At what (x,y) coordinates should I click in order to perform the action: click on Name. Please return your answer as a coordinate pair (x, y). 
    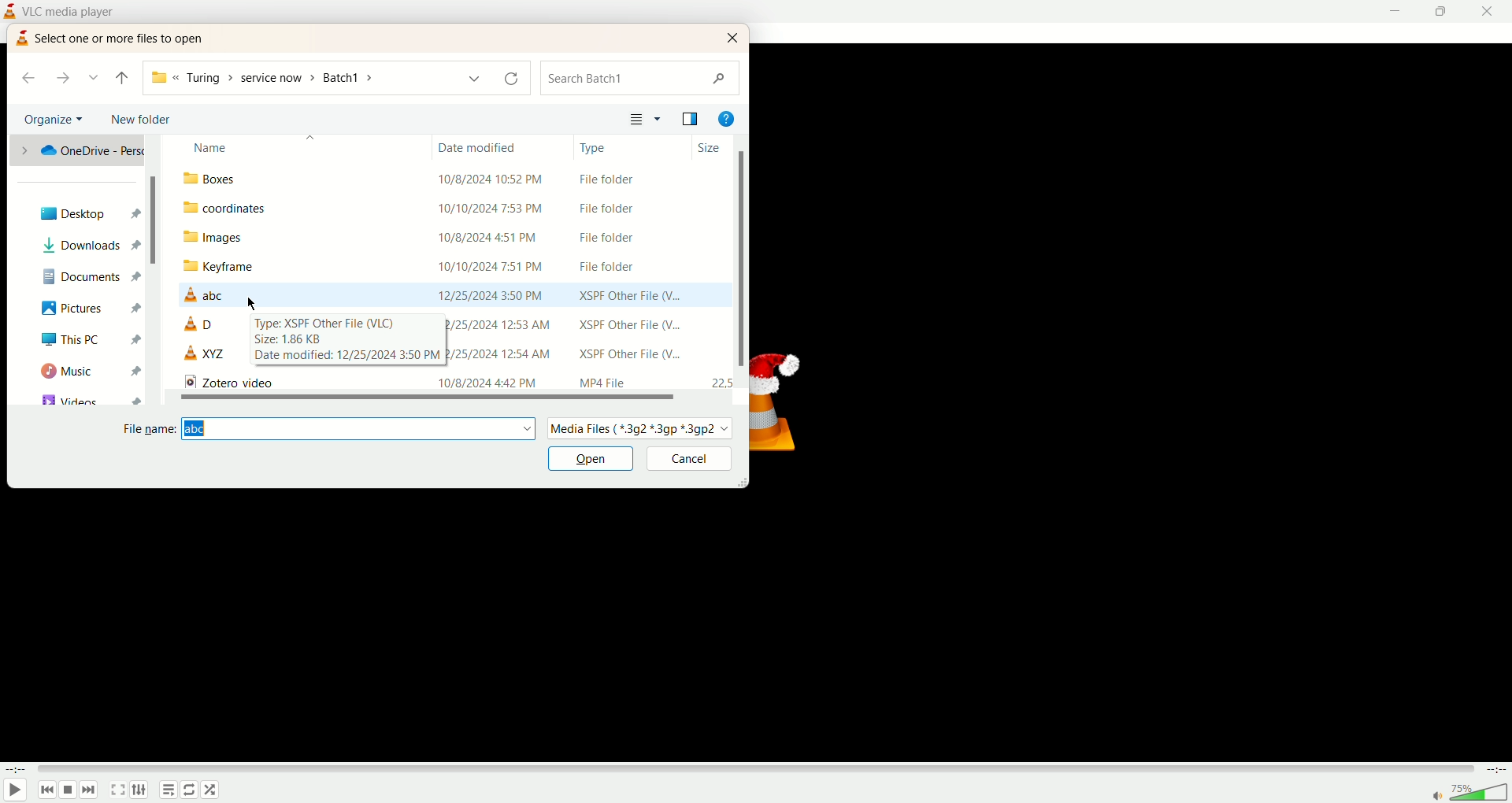
    Looking at the image, I should click on (308, 147).